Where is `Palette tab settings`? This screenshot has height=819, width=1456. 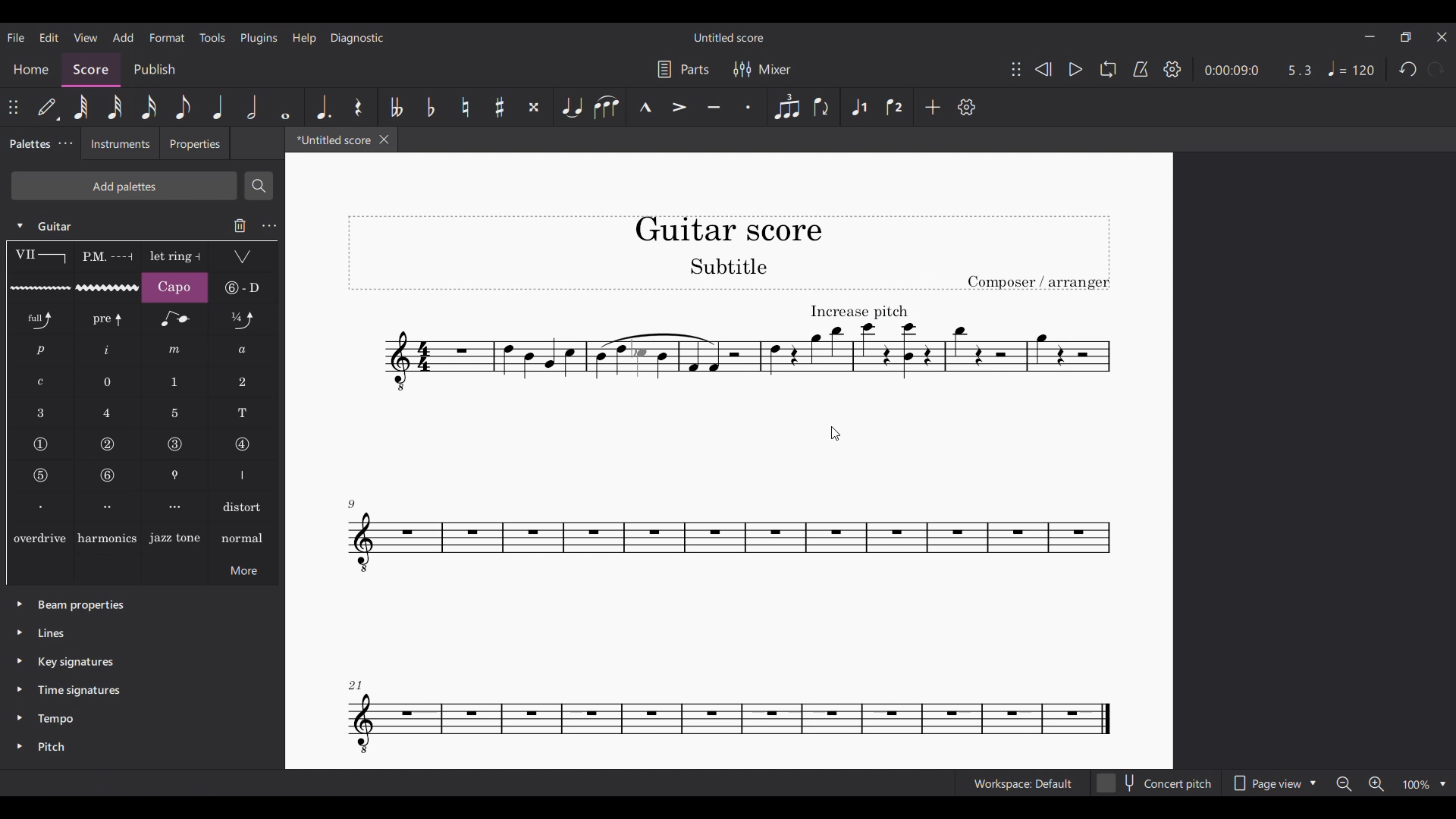
Palette tab settings is located at coordinates (67, 143).